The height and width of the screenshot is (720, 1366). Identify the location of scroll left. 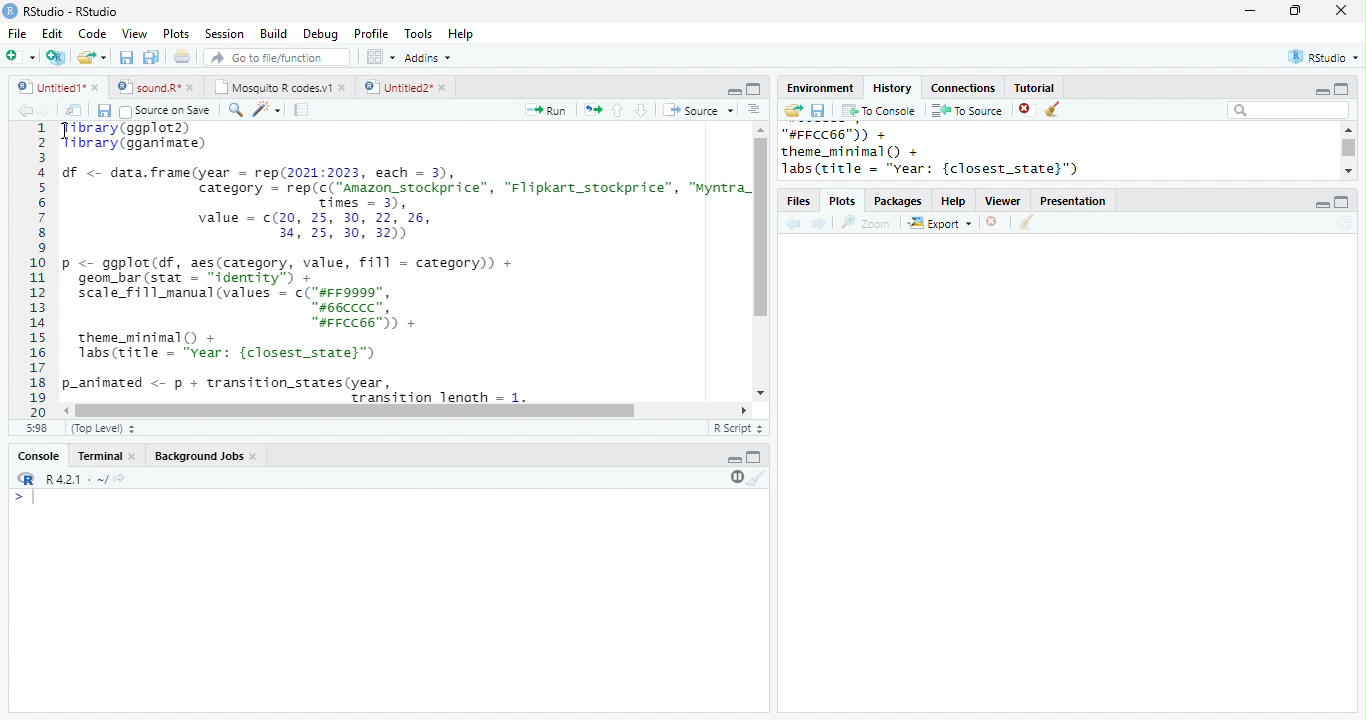
(744, 410).